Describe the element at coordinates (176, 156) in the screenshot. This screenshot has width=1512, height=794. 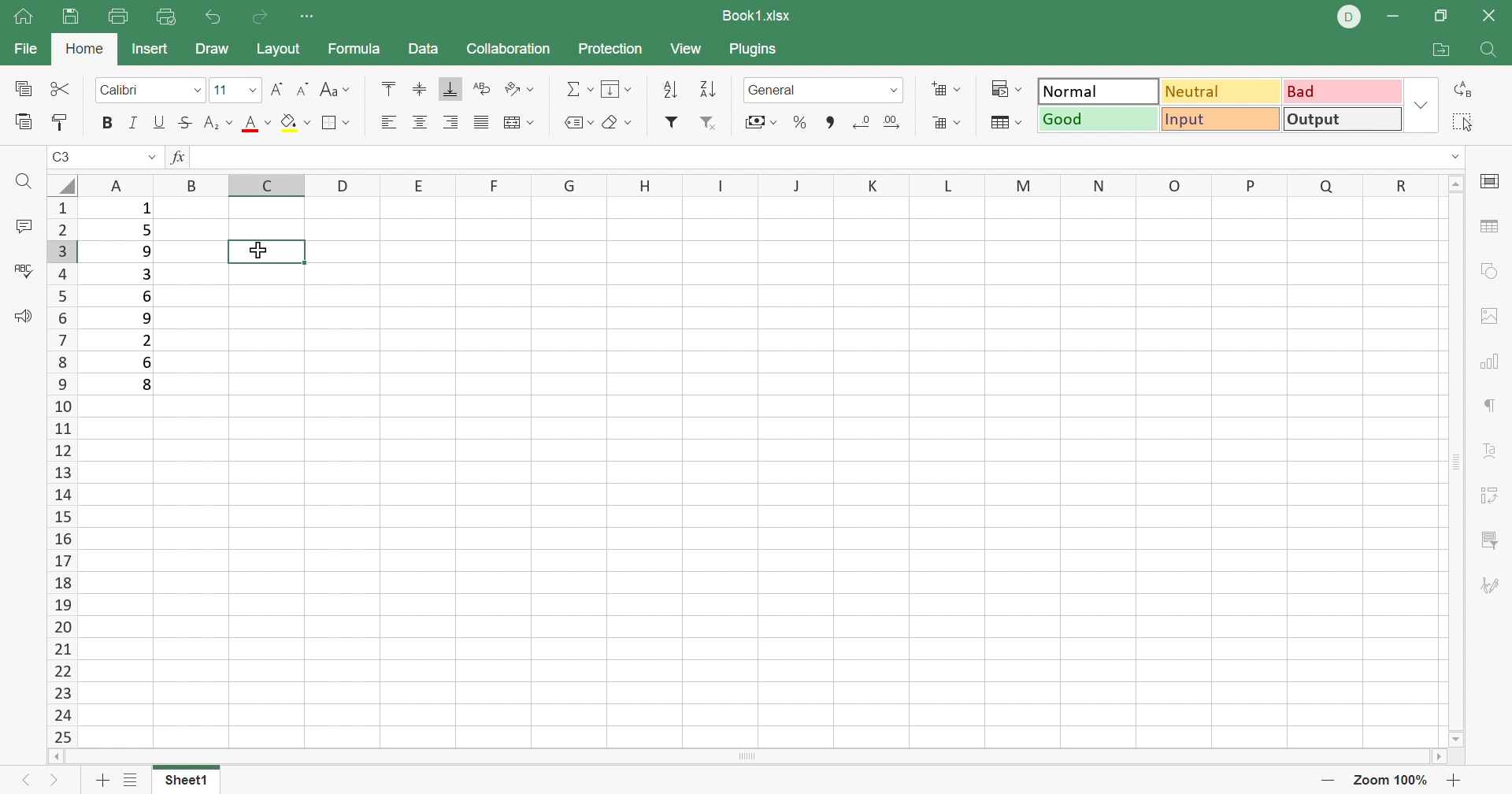
I see `fx` at that location.